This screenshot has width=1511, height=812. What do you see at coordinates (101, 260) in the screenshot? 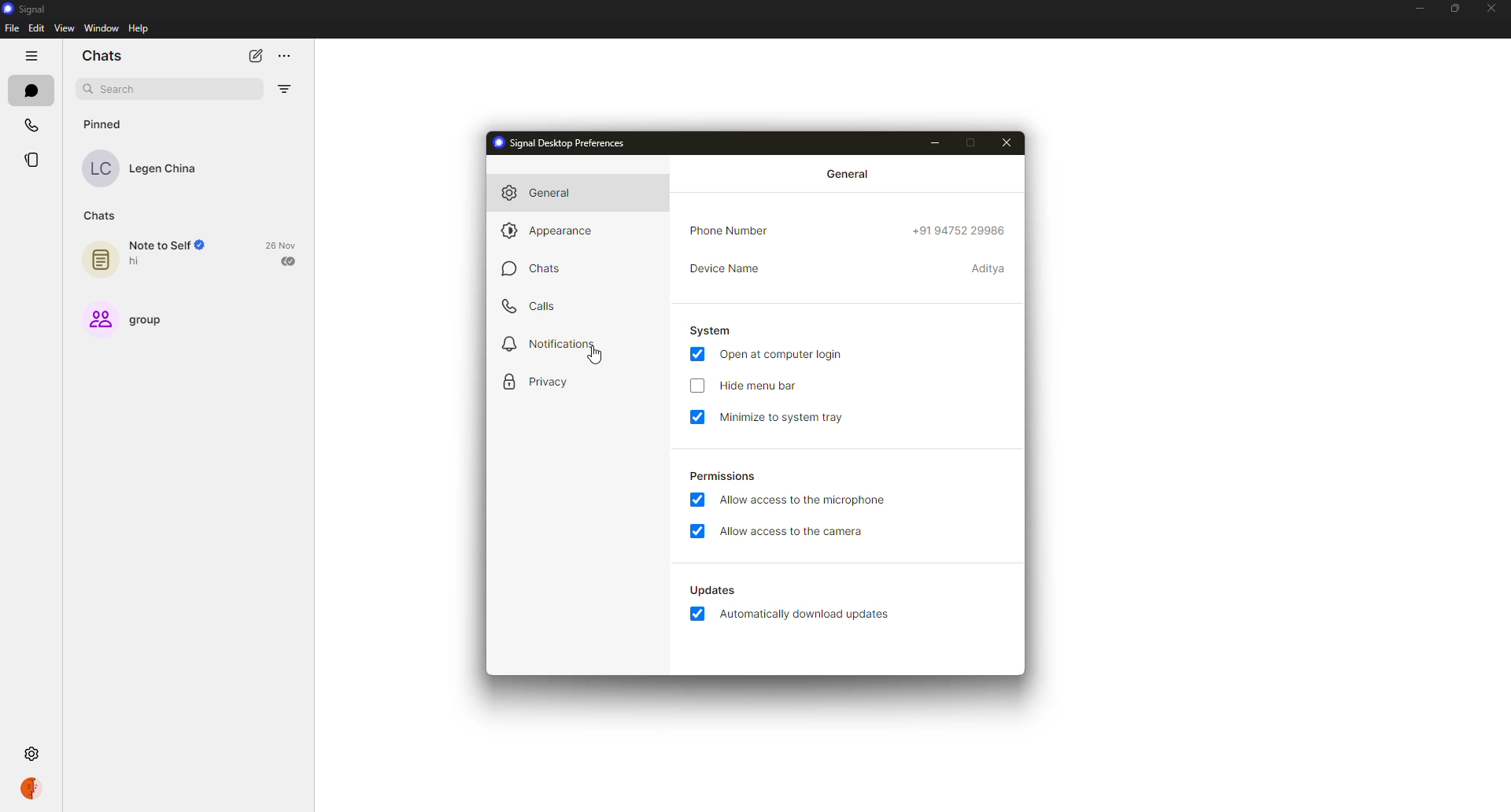
I see `Chat Icon` at bounding box center [101, 260].